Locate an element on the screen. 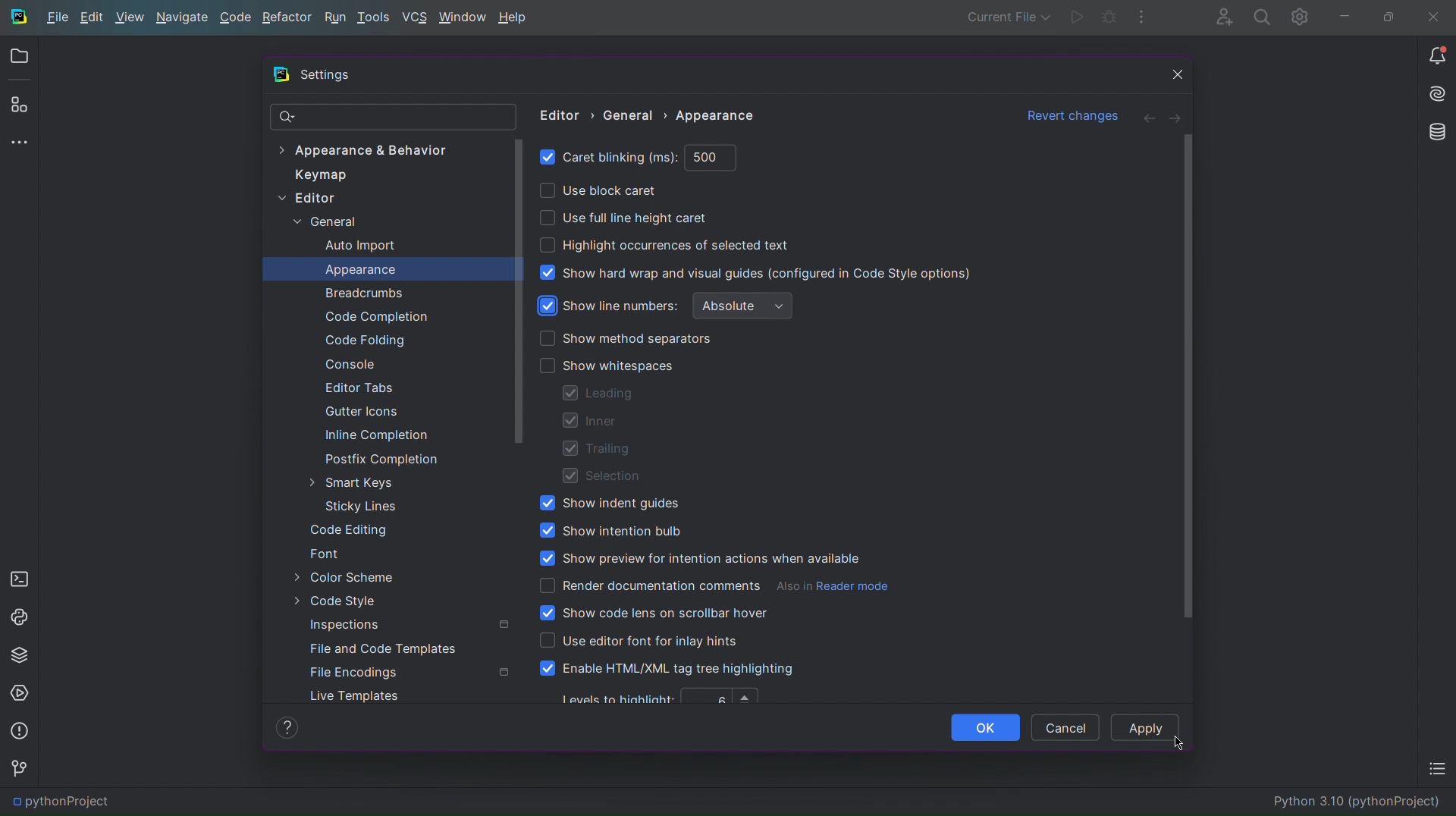 The width and height of the screenshot is (1456, 816). Caret blinking is located at coordinates (639, 158).